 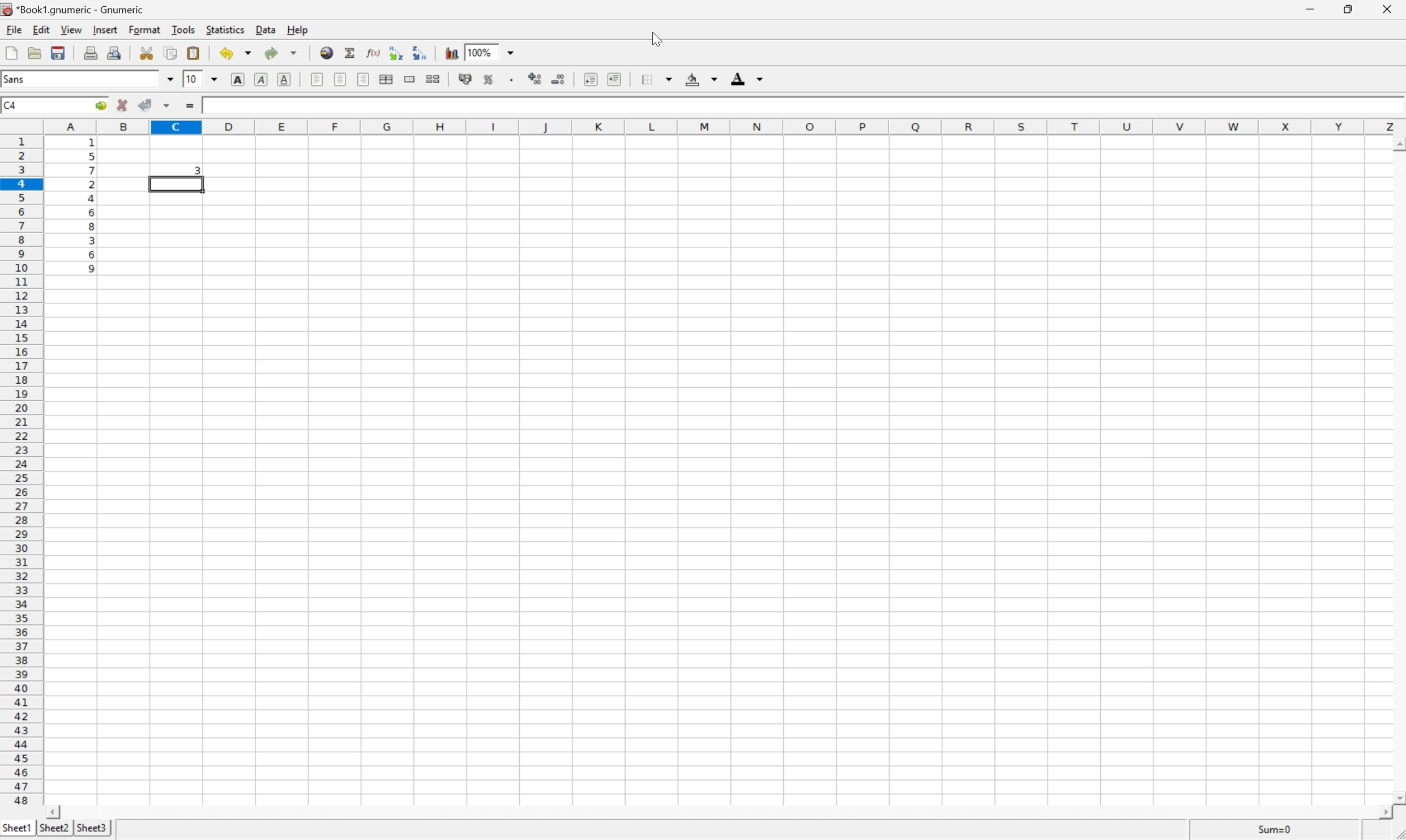 What do you see at coordinates (1379, 813) in the screenshot?
I see `scroll right` at bounding box center [1379, 813].